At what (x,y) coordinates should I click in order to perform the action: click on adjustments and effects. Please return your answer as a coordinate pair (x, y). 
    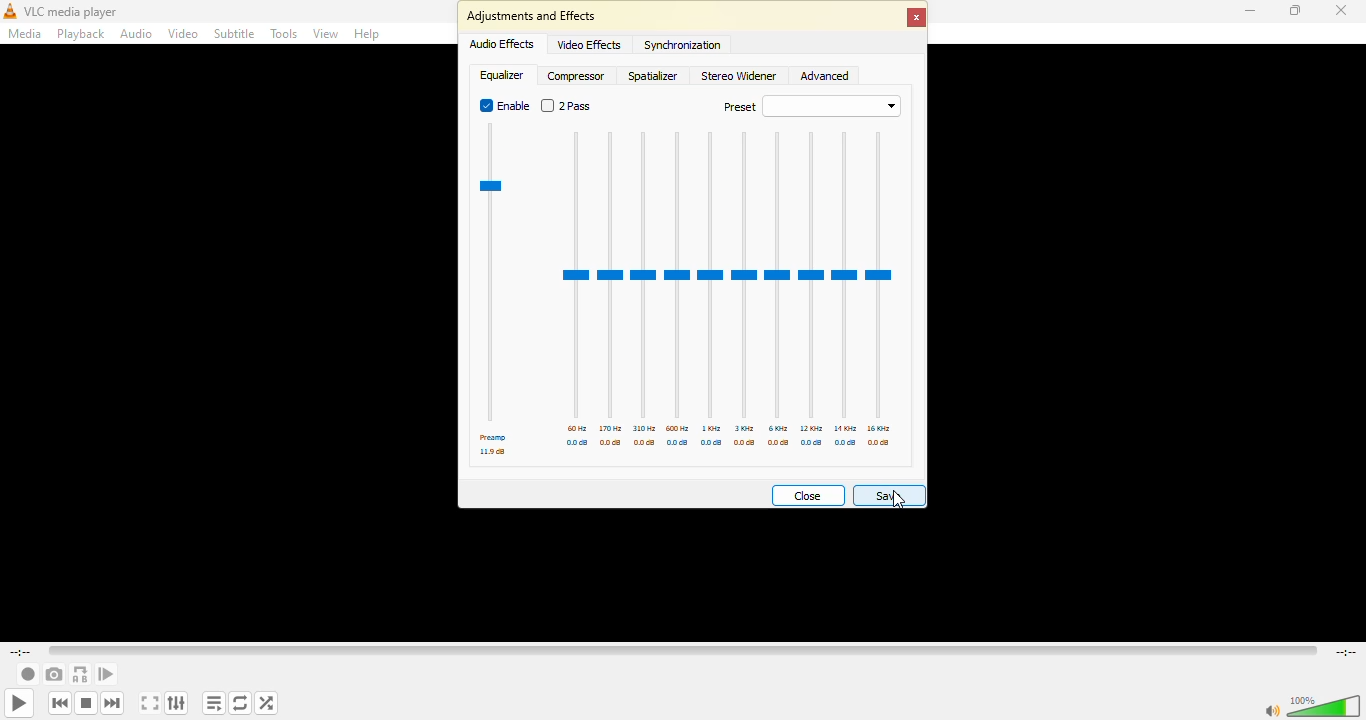
    Looking at the image, I should click on (532, 16).